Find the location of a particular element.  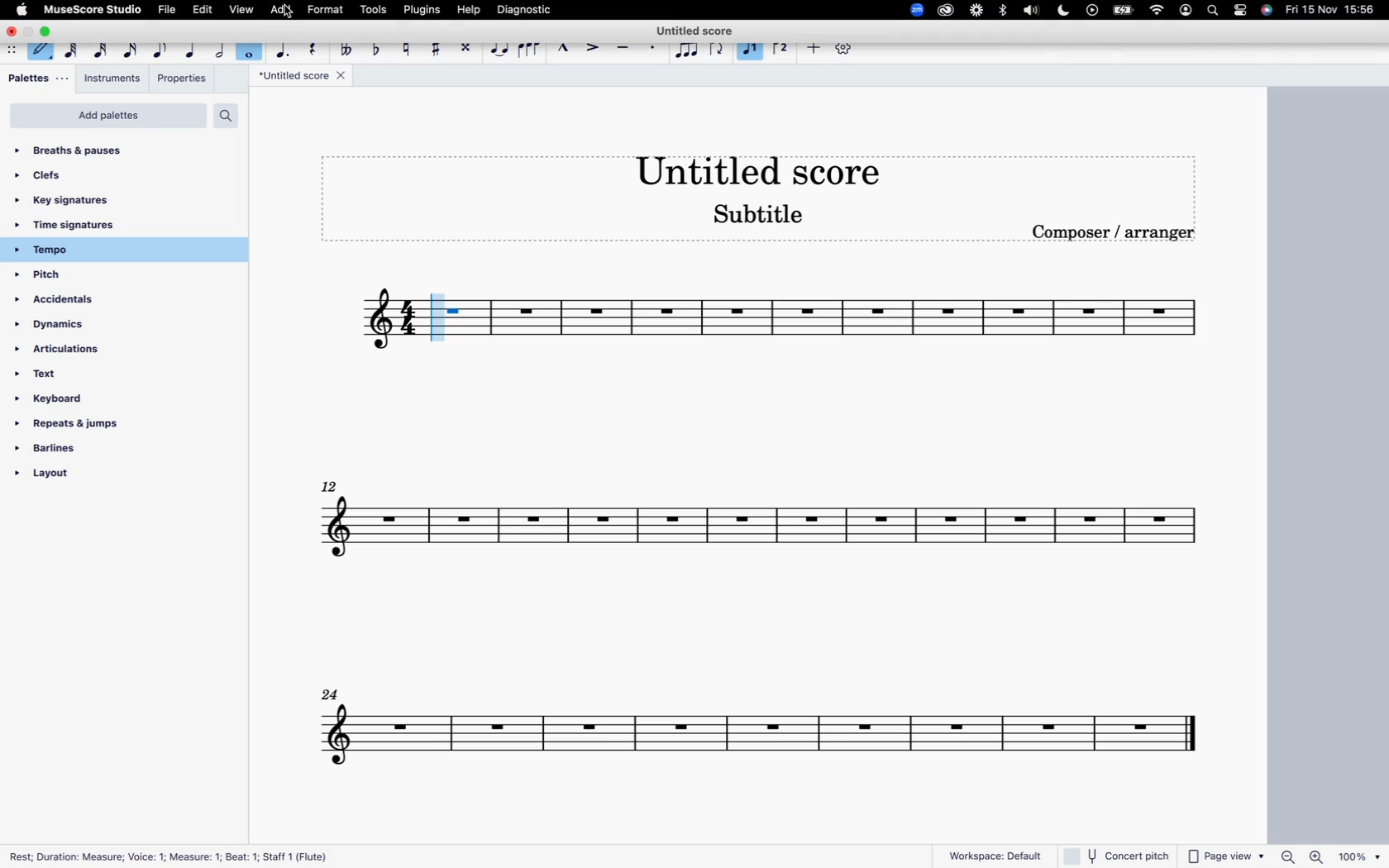

palettes is located at coordinates (38, 80).